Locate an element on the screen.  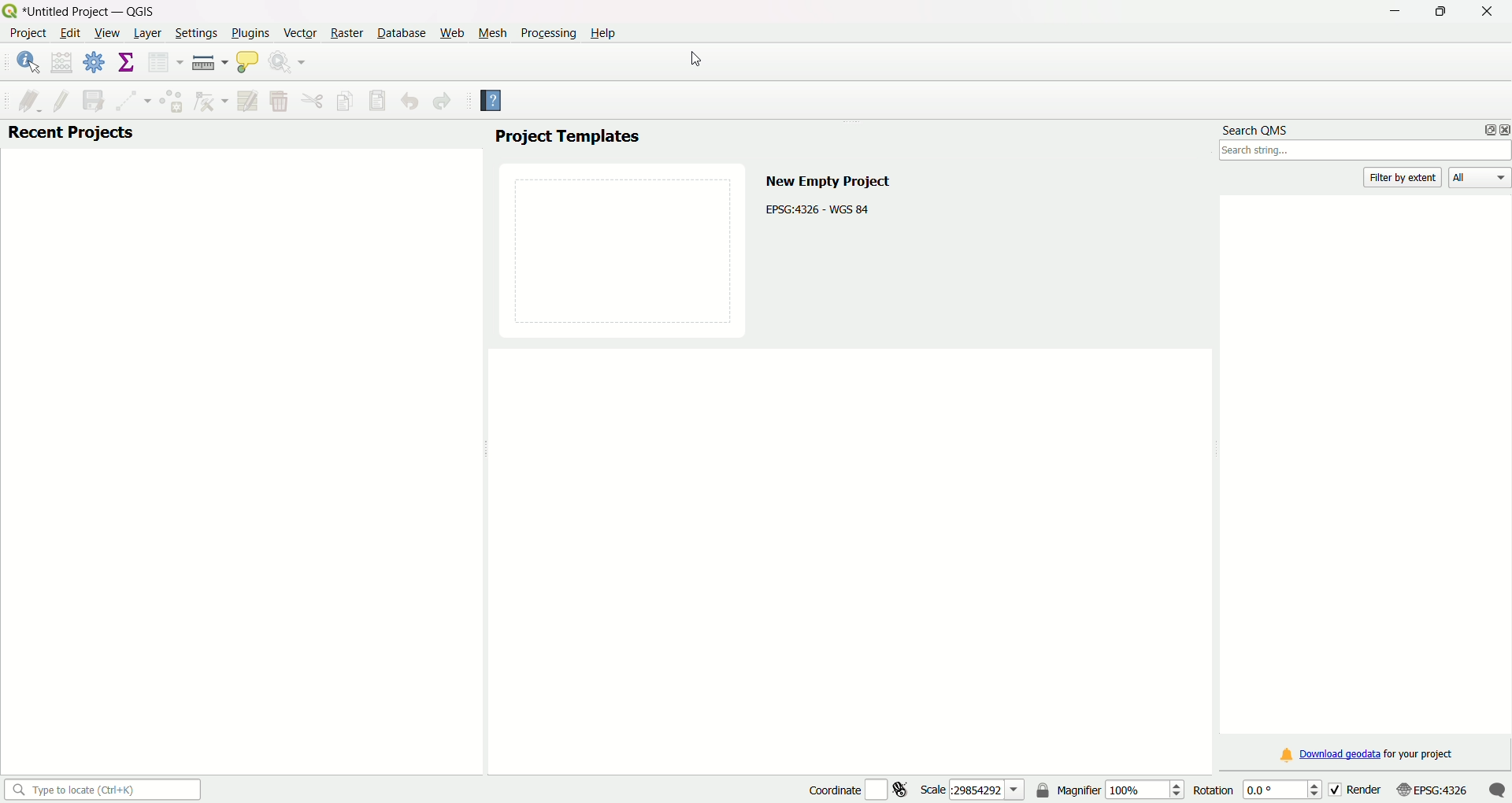
coordinate is located at coordinates (832, 788).